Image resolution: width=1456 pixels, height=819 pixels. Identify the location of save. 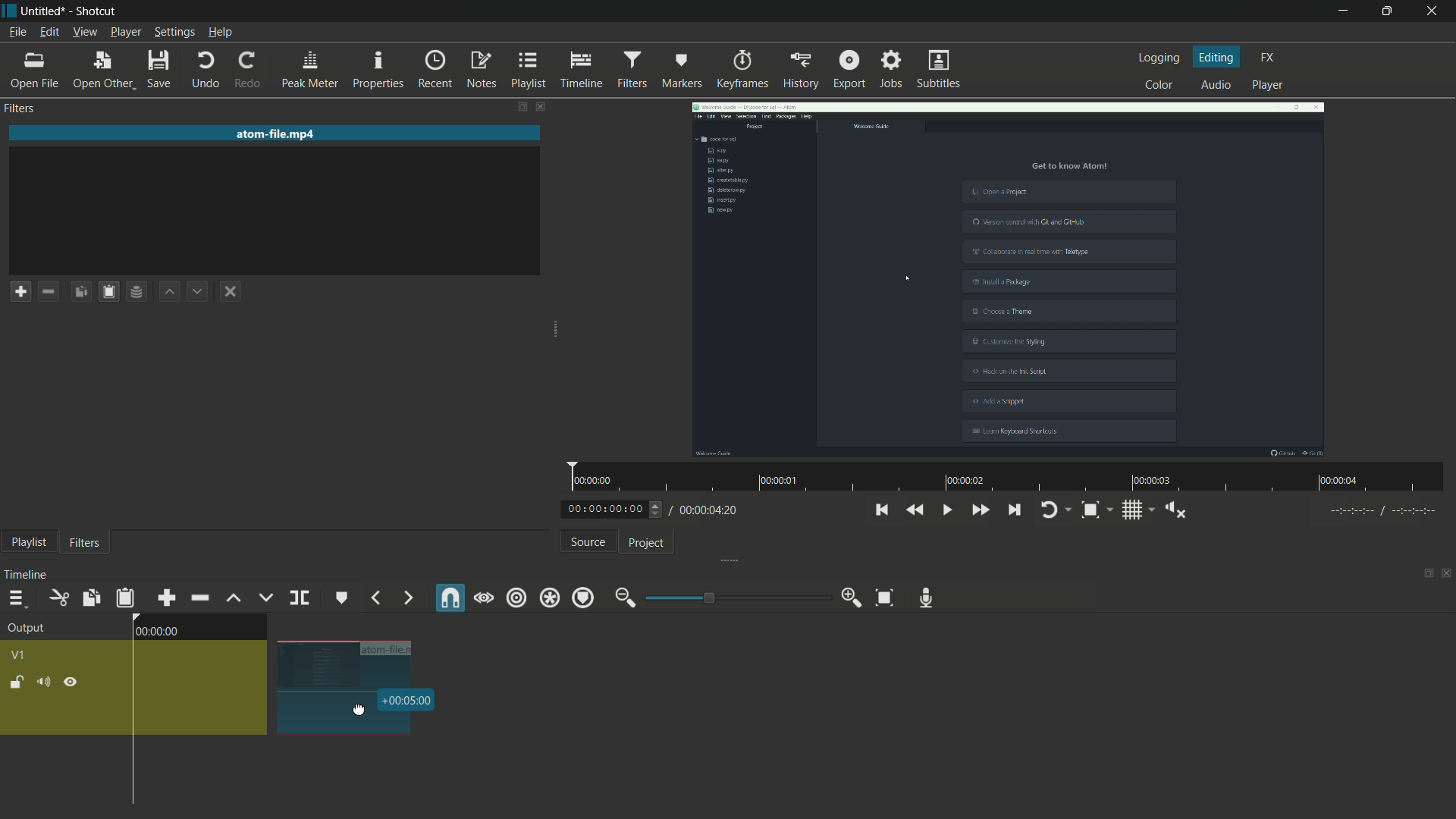
(161, 71).